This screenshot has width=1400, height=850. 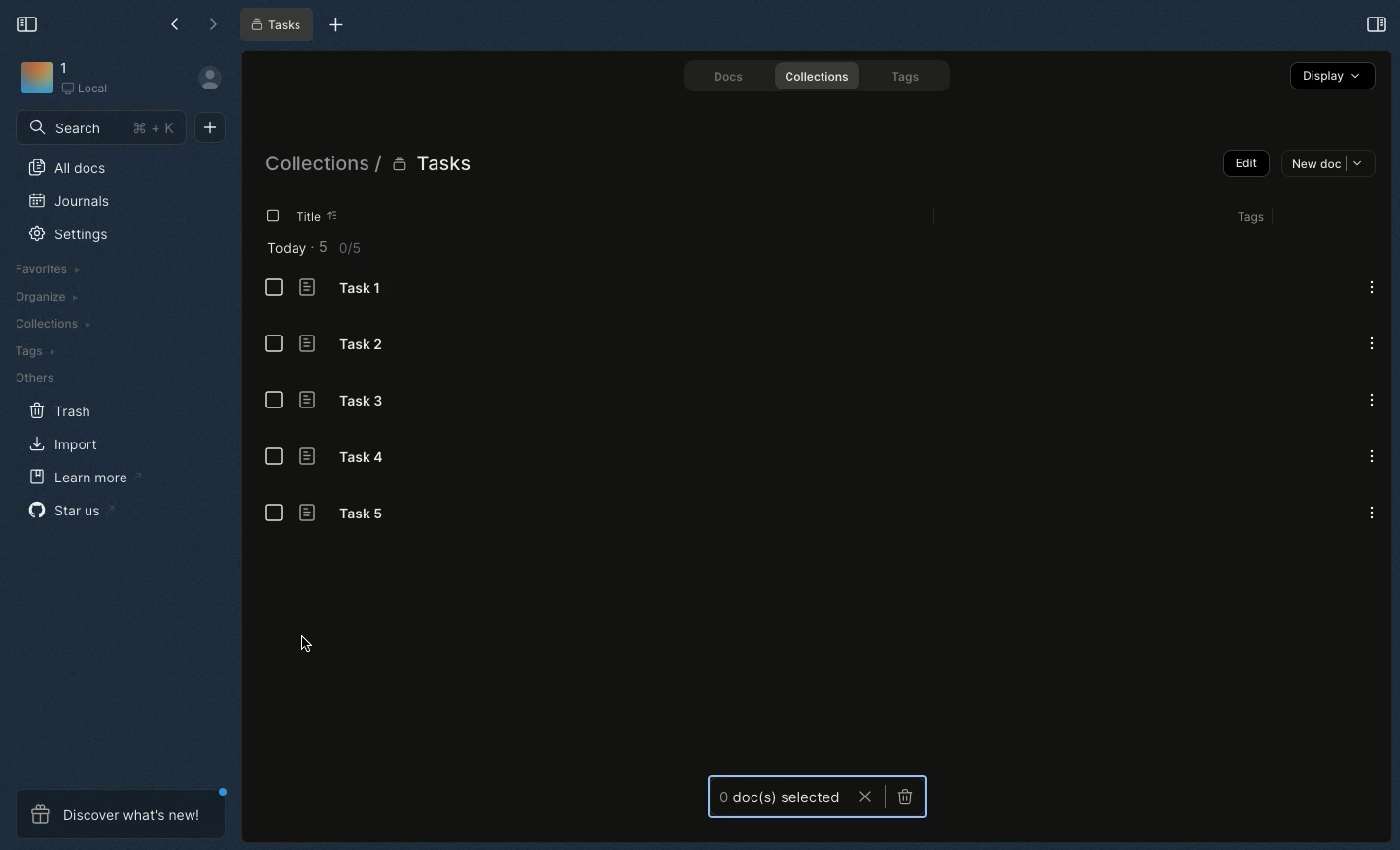 What do you see at coordinates (70, 201) in the screenshot?
I see `Journals` at bounding box center [70, 201].